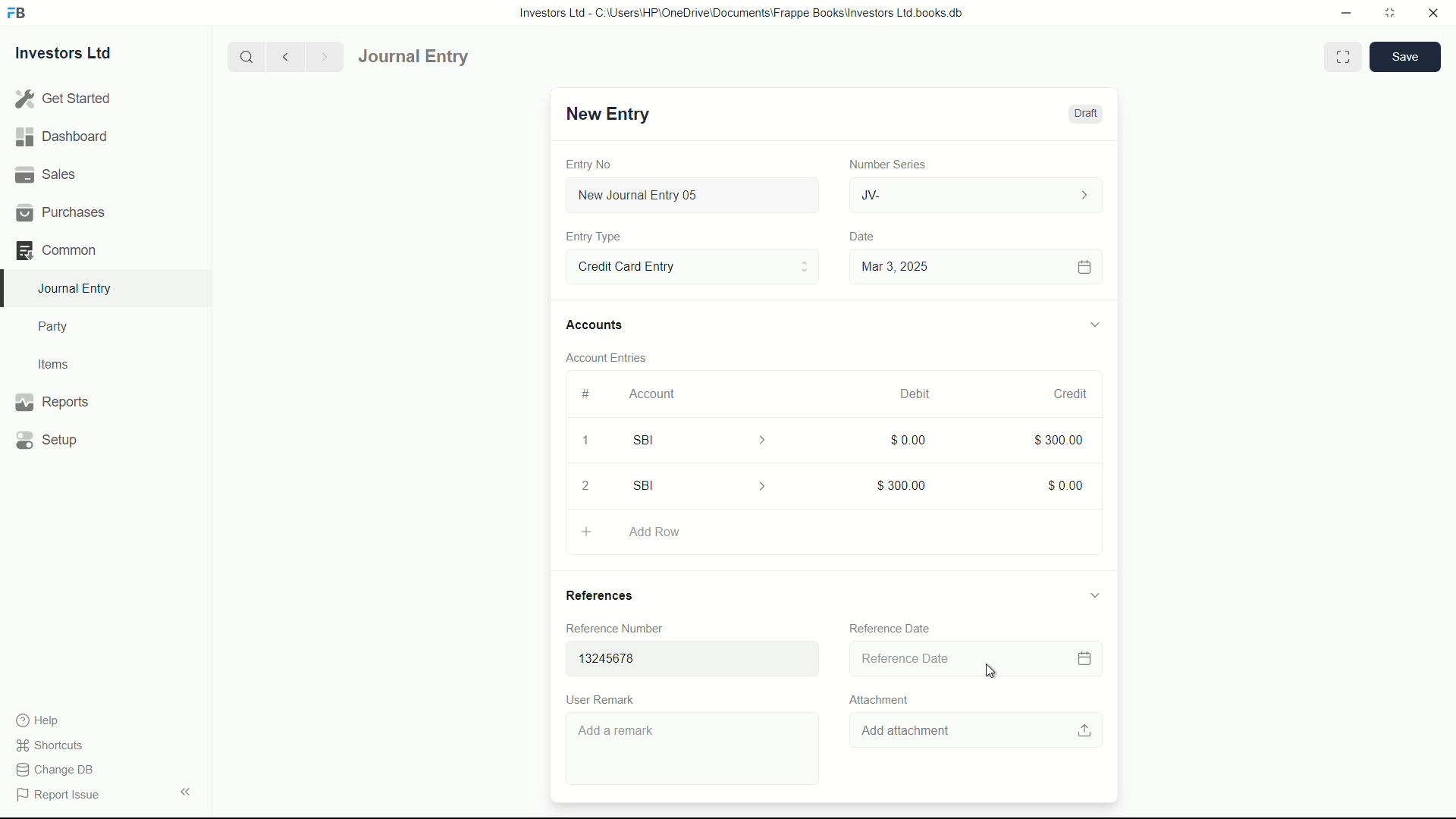 The height and width of the screenshot is (819, 1456). I want to click on Next, so click(322, 56).